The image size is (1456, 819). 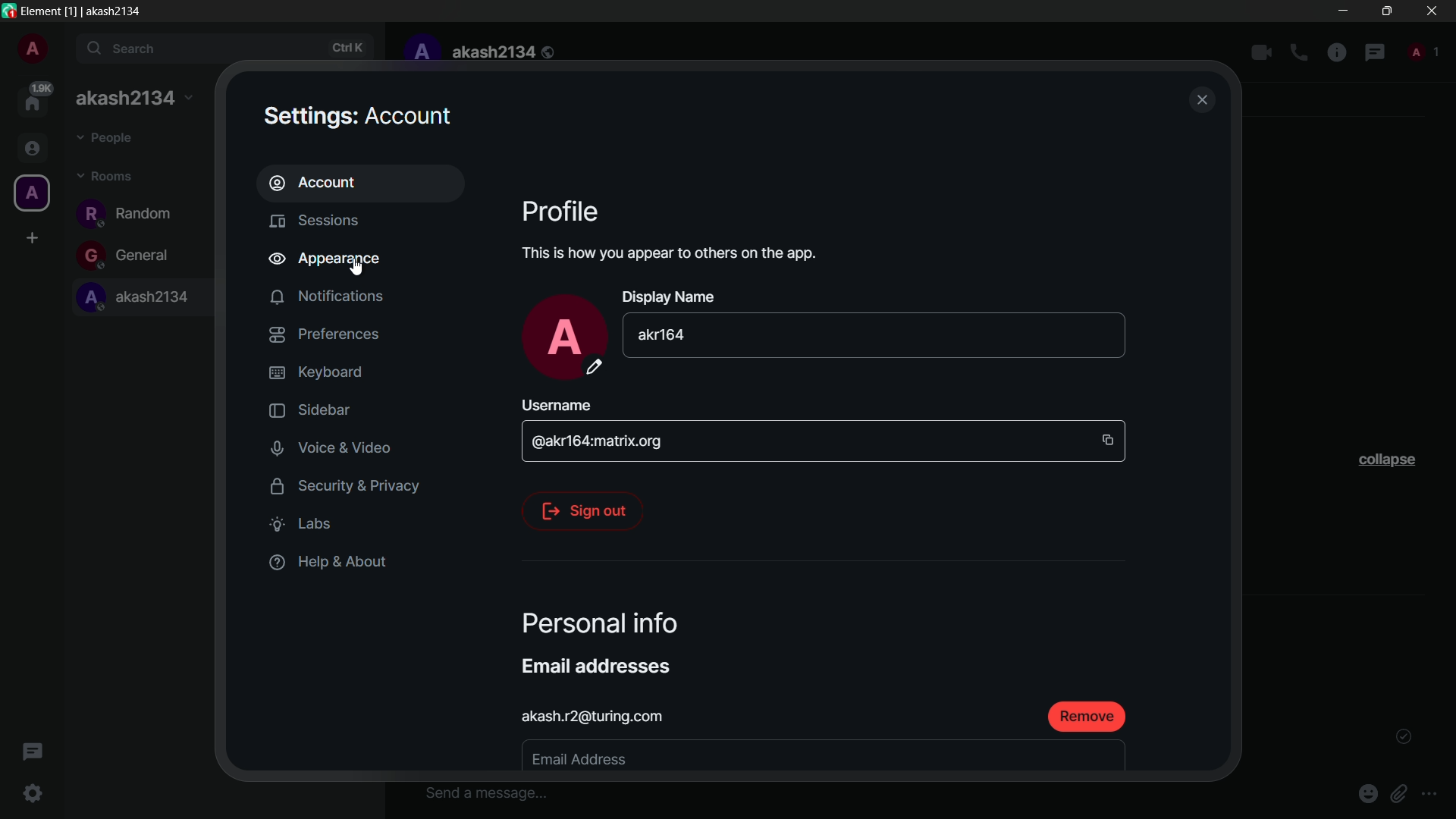 I want to click on sidebar, so click(x=306, y=411).